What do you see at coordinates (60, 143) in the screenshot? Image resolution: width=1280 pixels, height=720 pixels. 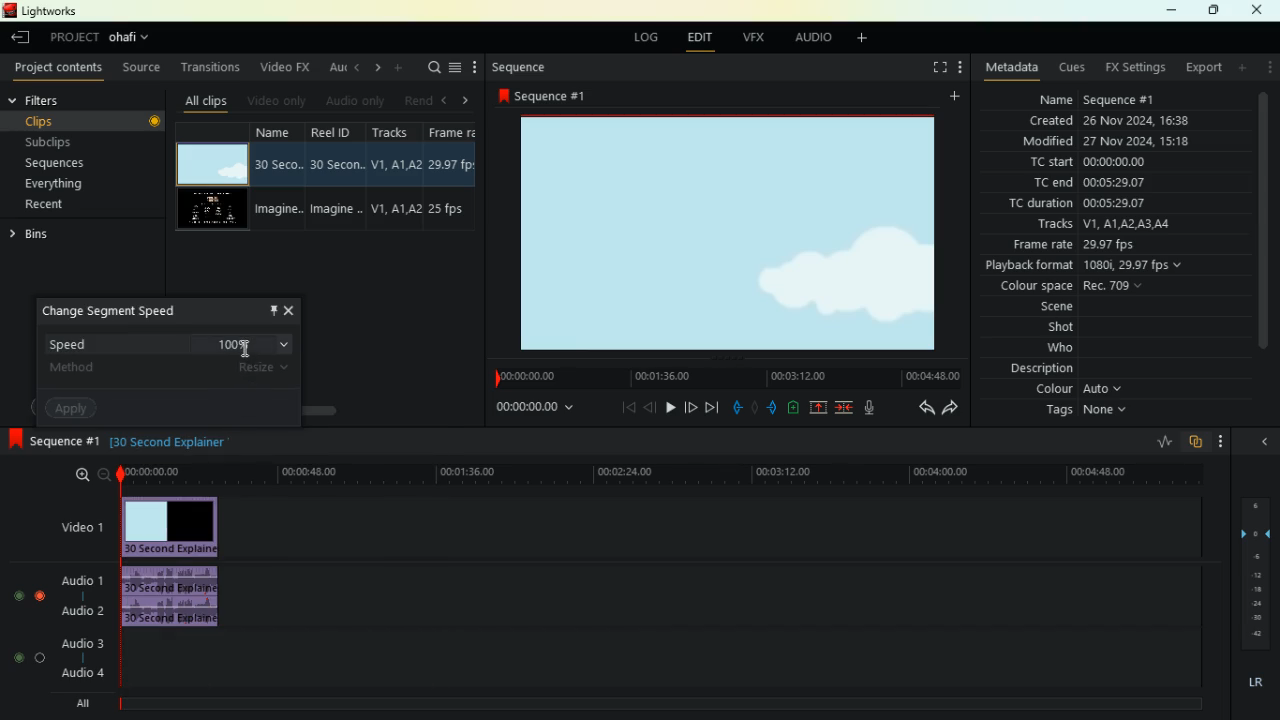 I see `subclips` at bounding box center [60, 143].